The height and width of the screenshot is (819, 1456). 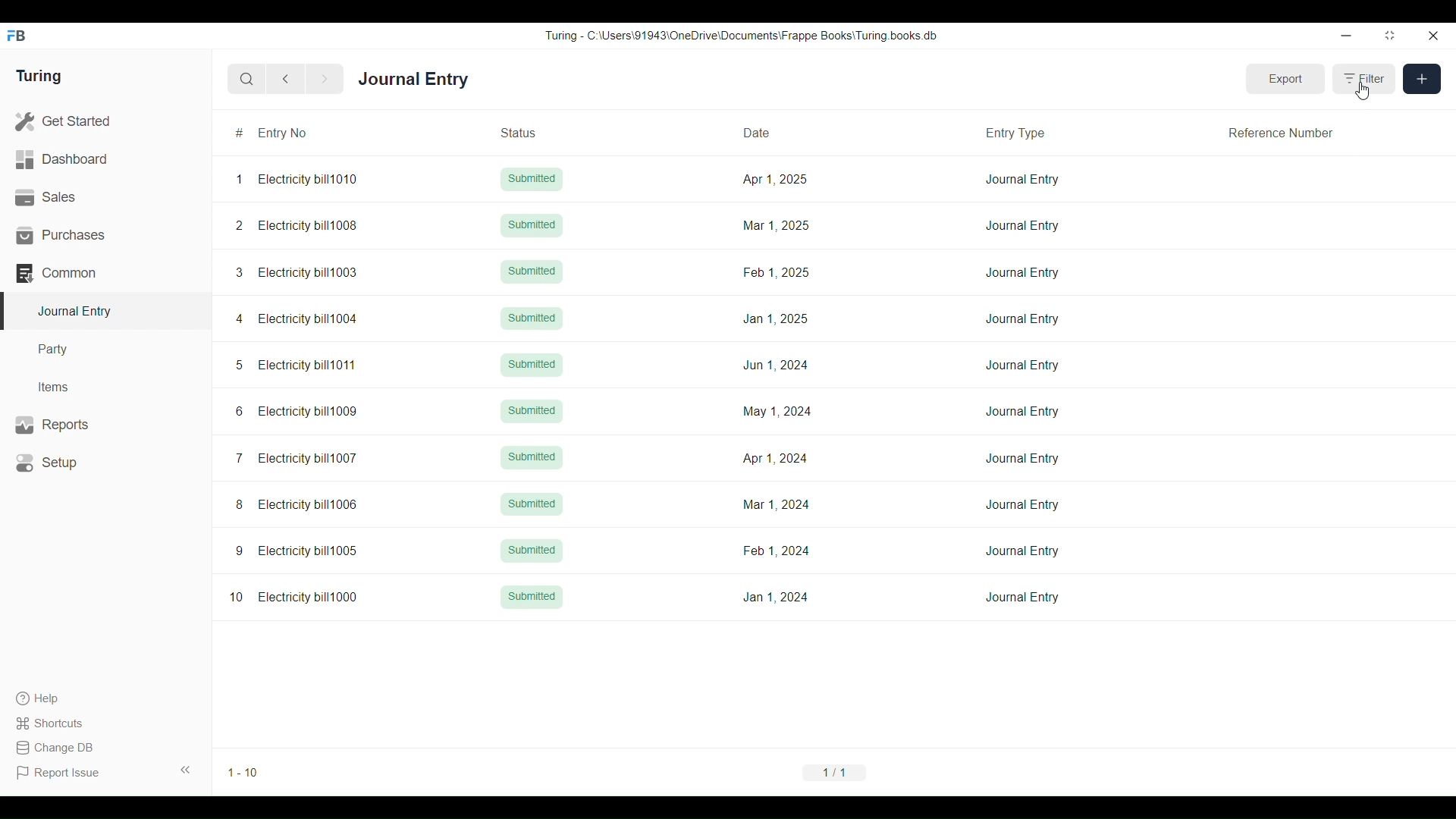 What do you see at coordinates (413, 78) in the screenshot?
I see `Journal Entry` at bounding box center [413, 78].